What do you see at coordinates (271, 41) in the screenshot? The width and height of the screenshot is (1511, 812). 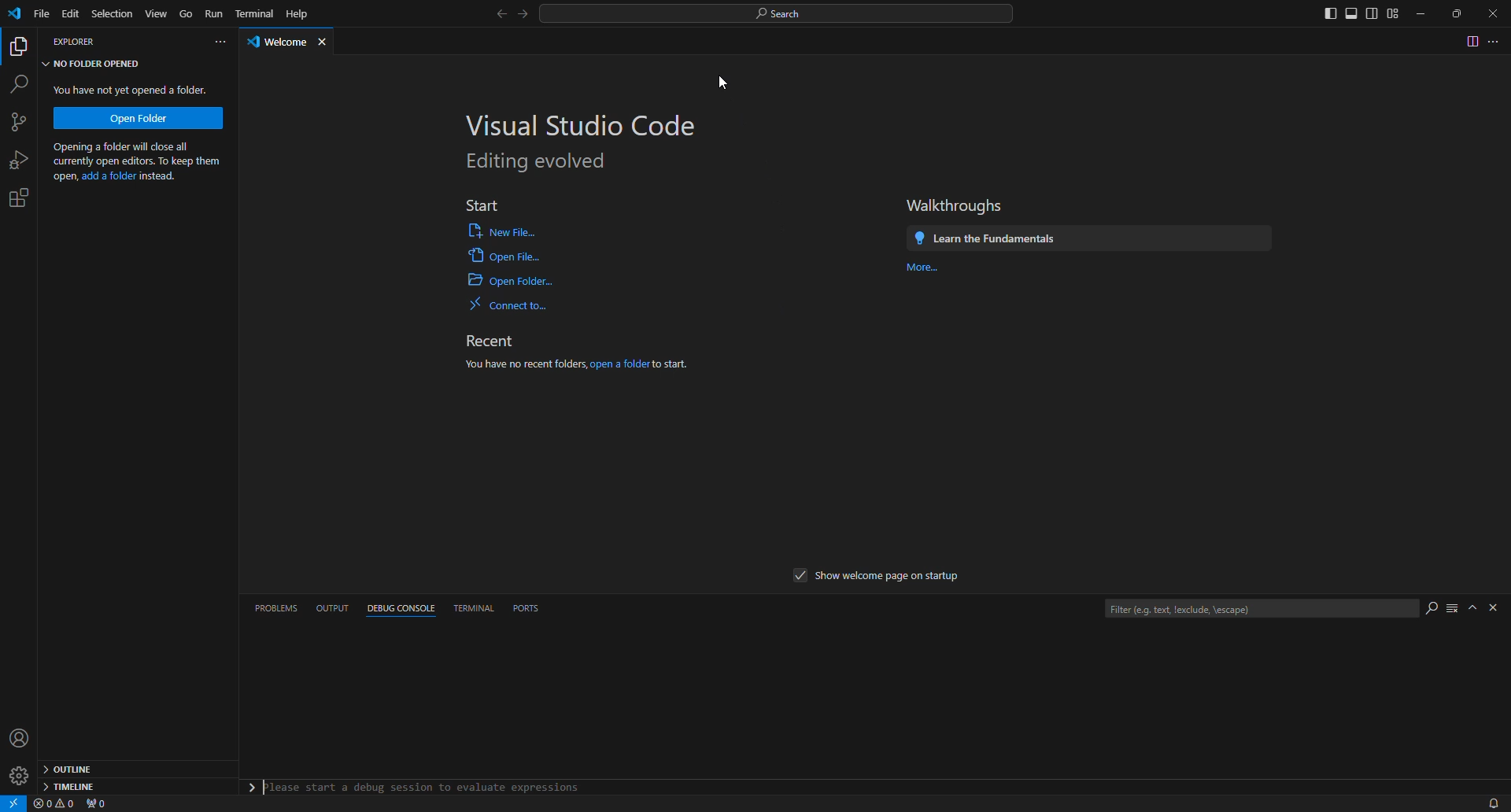 I see `welcome` at bounding box center [271, 41].